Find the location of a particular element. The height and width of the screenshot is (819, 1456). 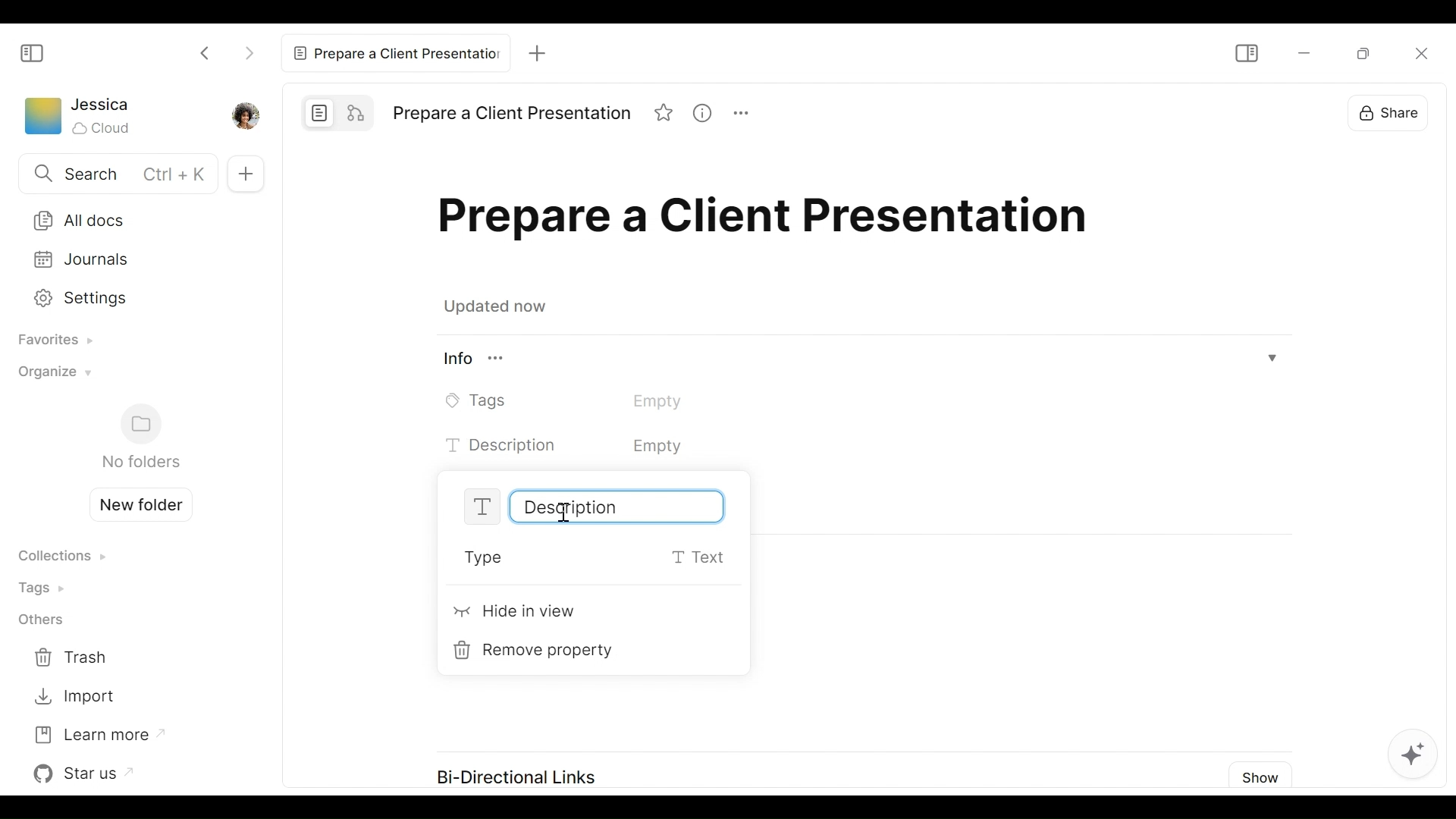

Add new is located at coordinates (243, 173).